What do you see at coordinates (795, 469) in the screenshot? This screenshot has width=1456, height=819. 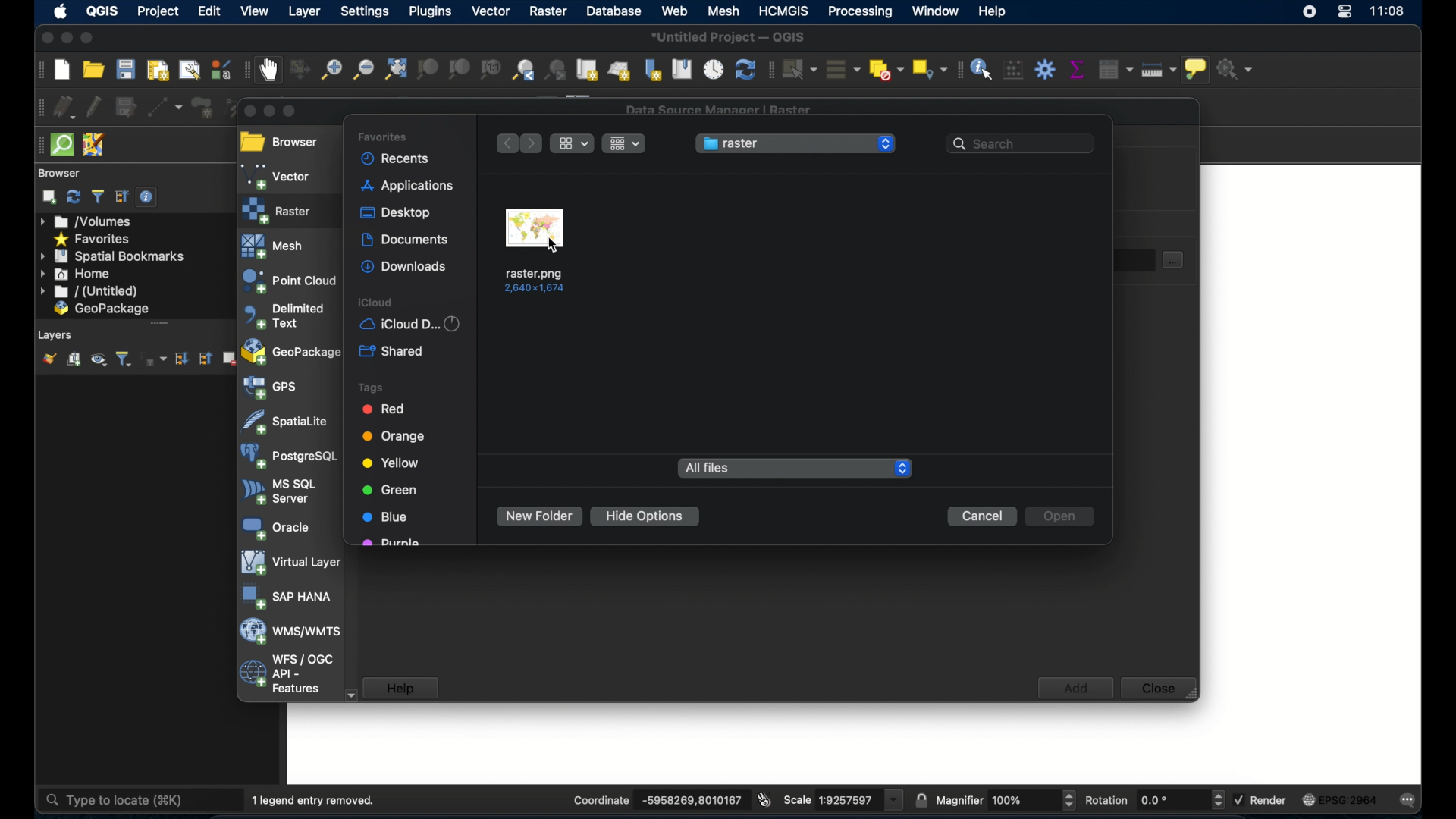 I see `all files dropdown` at bounding box center [795, 469].